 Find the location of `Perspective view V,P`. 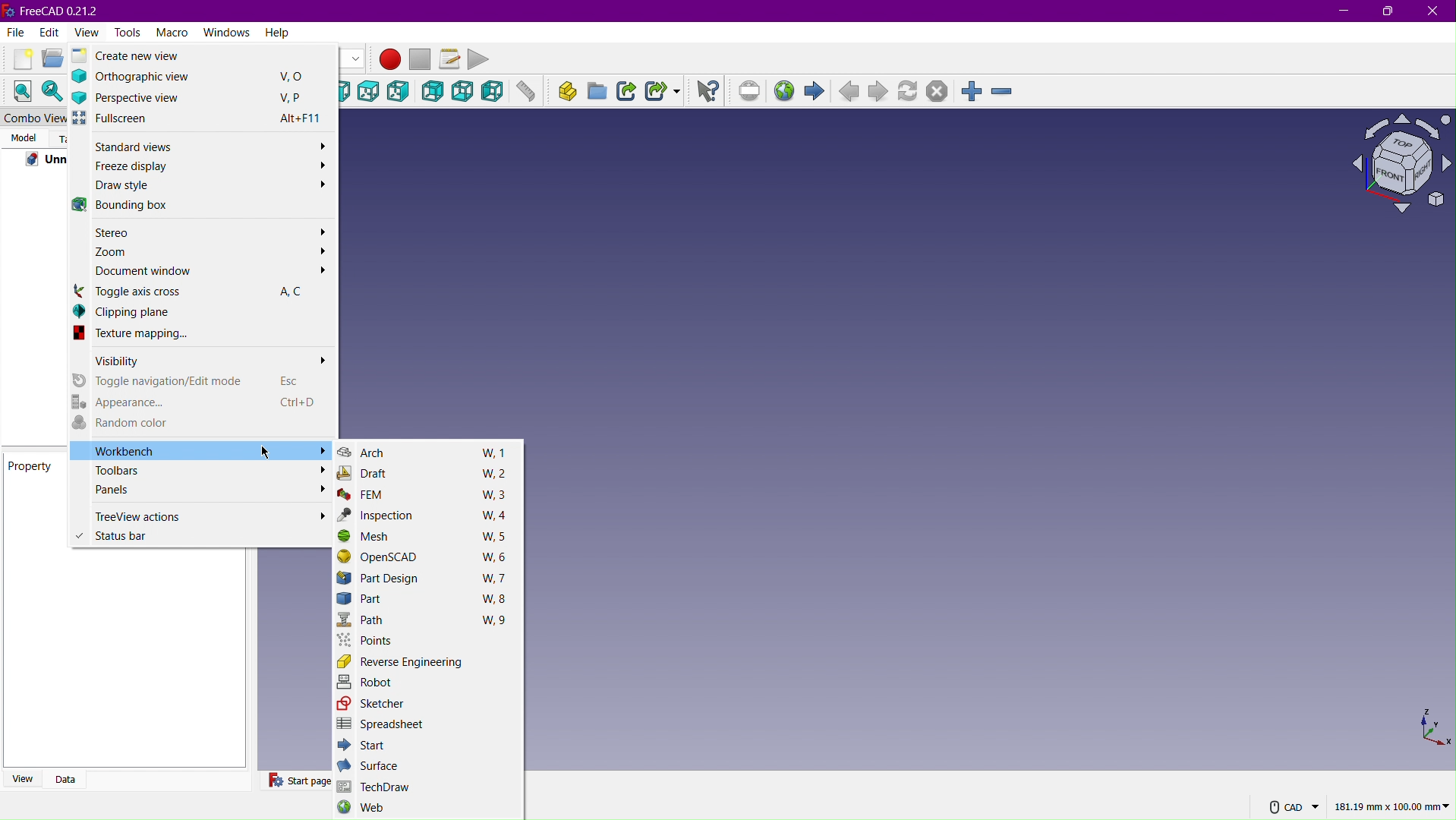

Perspective view V,P is located at coordinates (188, 99).